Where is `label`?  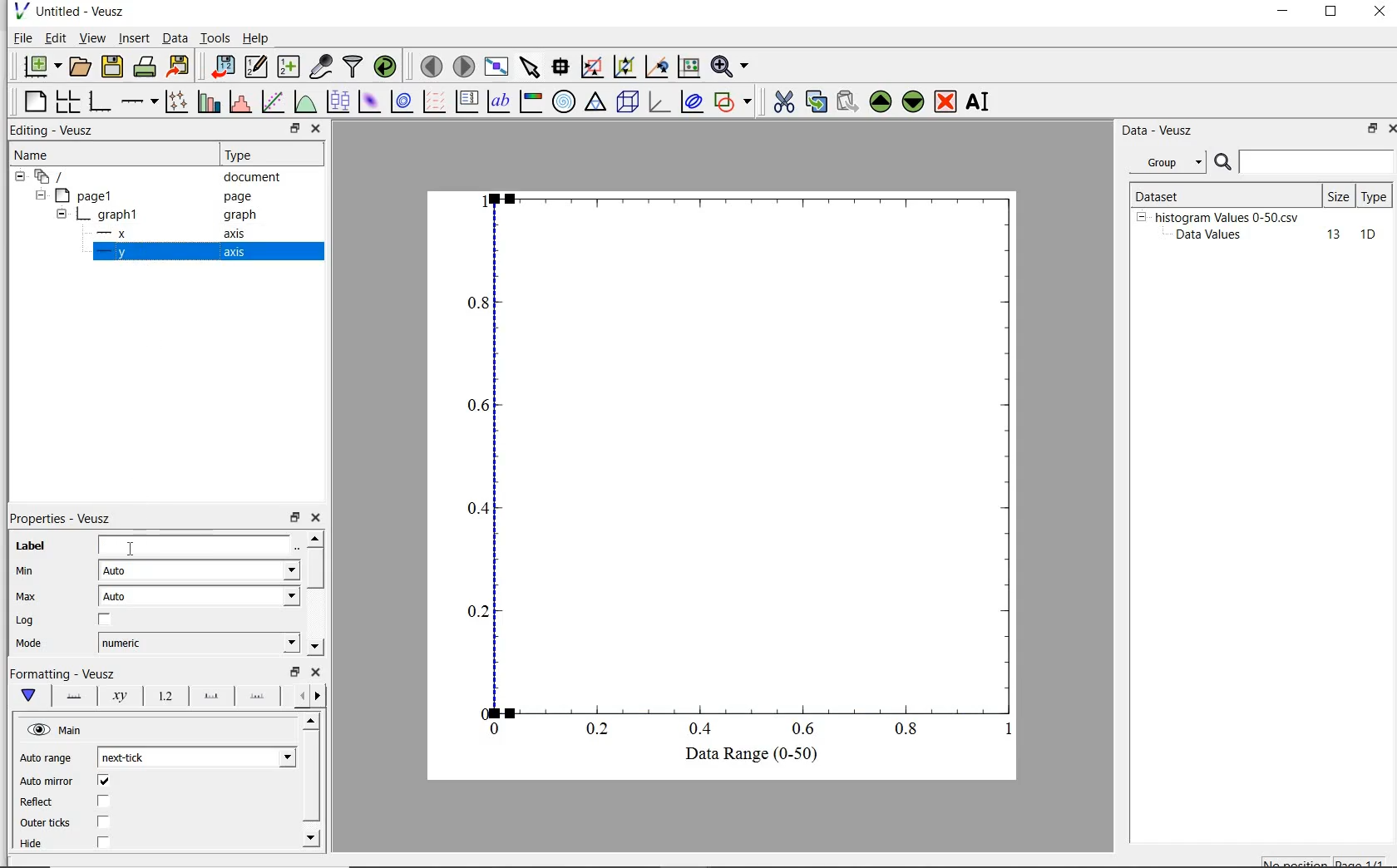
label is located at coordinates (31, 546).